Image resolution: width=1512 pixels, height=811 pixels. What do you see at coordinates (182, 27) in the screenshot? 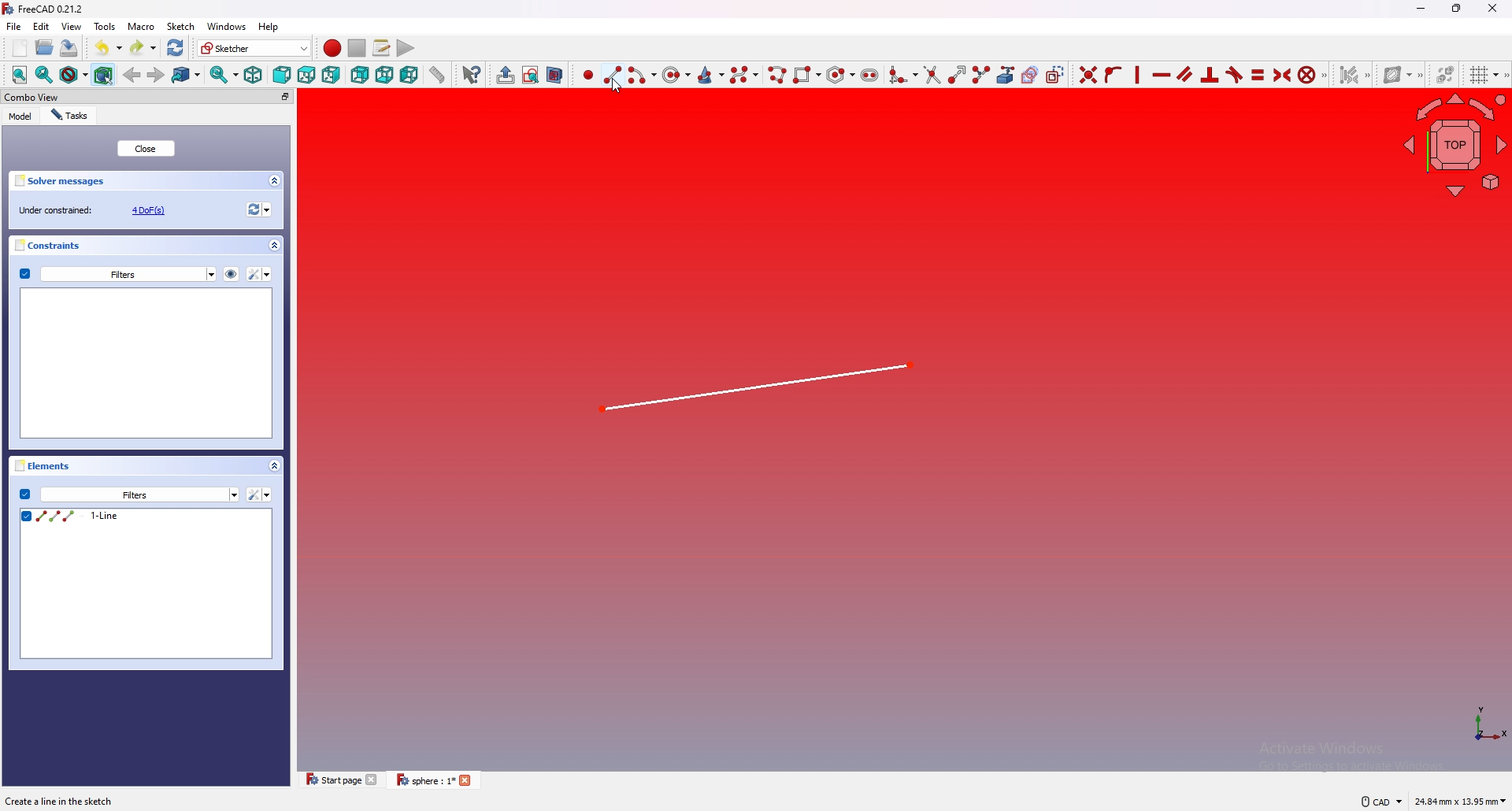
I see `Sketch` at bounding box center [182, 27].